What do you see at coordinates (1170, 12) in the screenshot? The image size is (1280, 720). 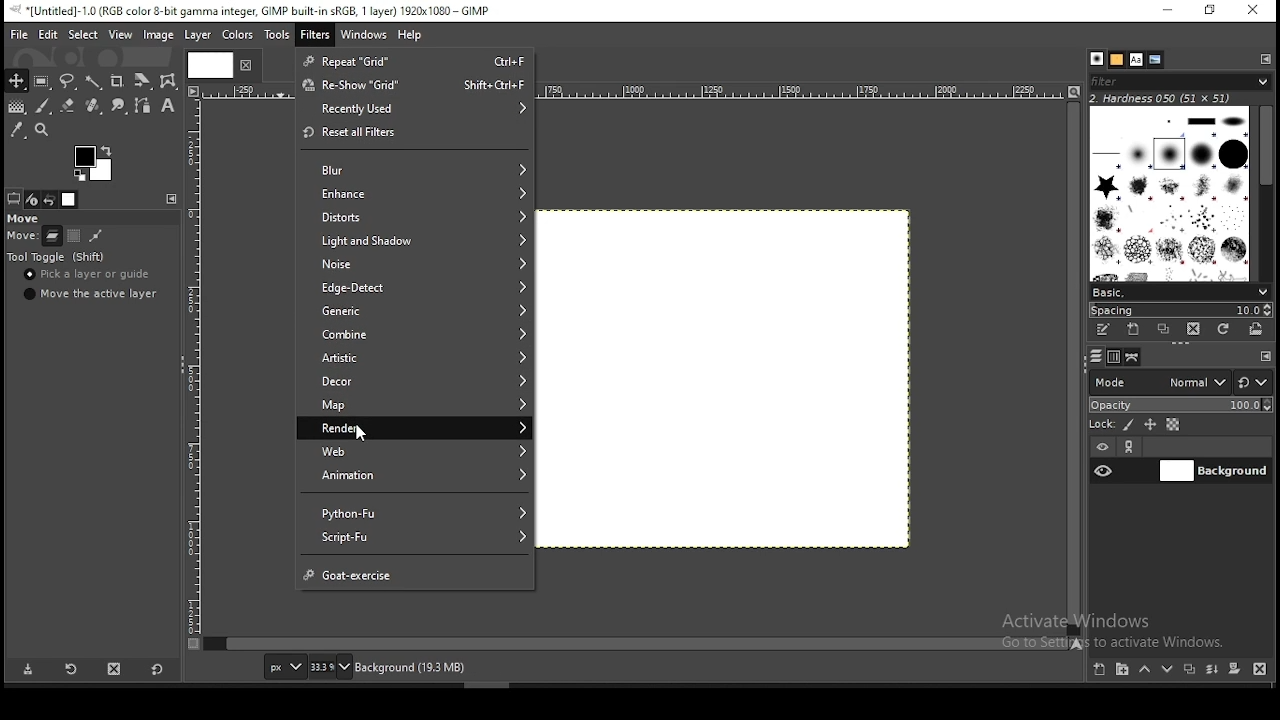 I see `minimize` at bounding box center [1170, 12].